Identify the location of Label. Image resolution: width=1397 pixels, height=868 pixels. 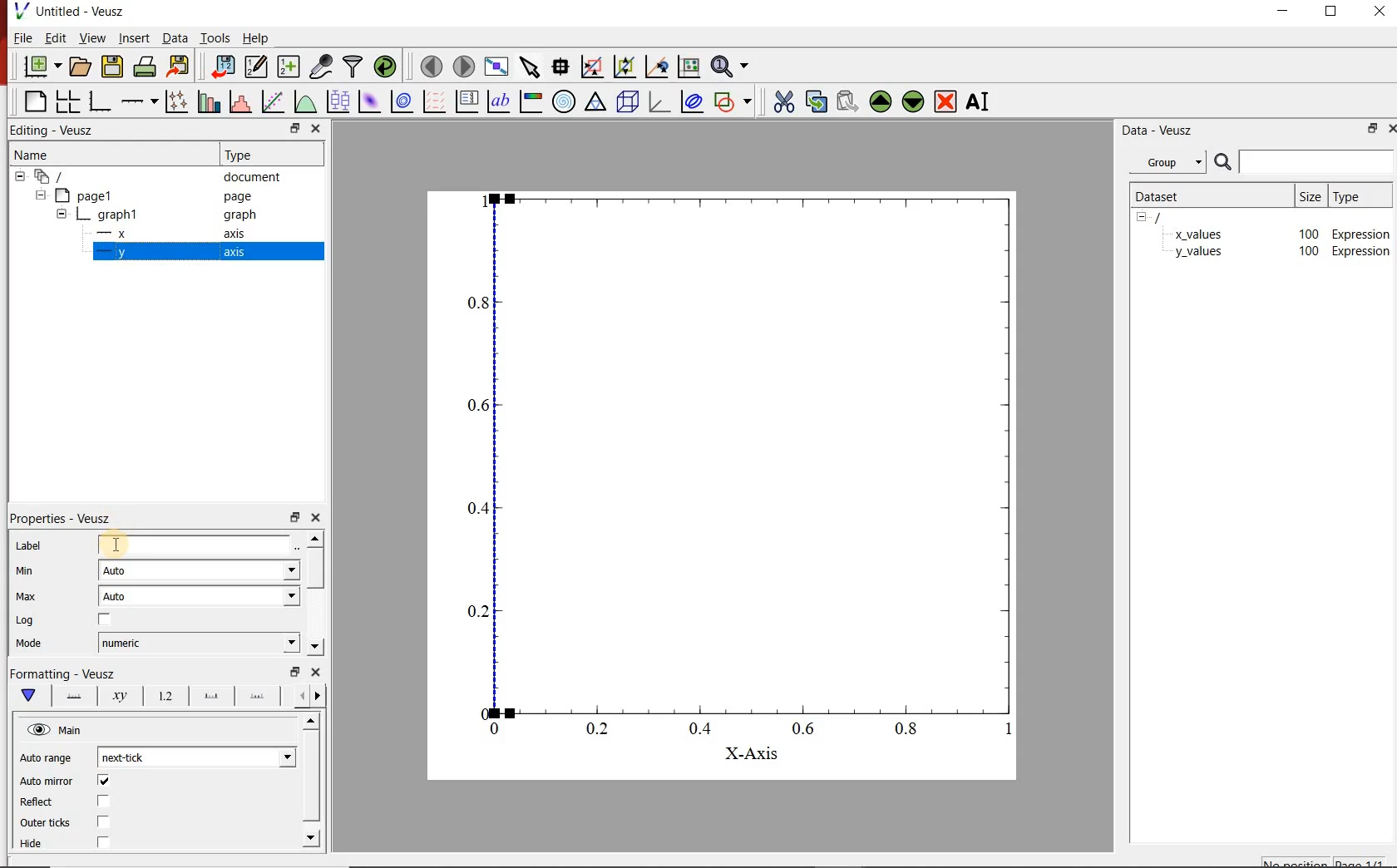
(29, 546).